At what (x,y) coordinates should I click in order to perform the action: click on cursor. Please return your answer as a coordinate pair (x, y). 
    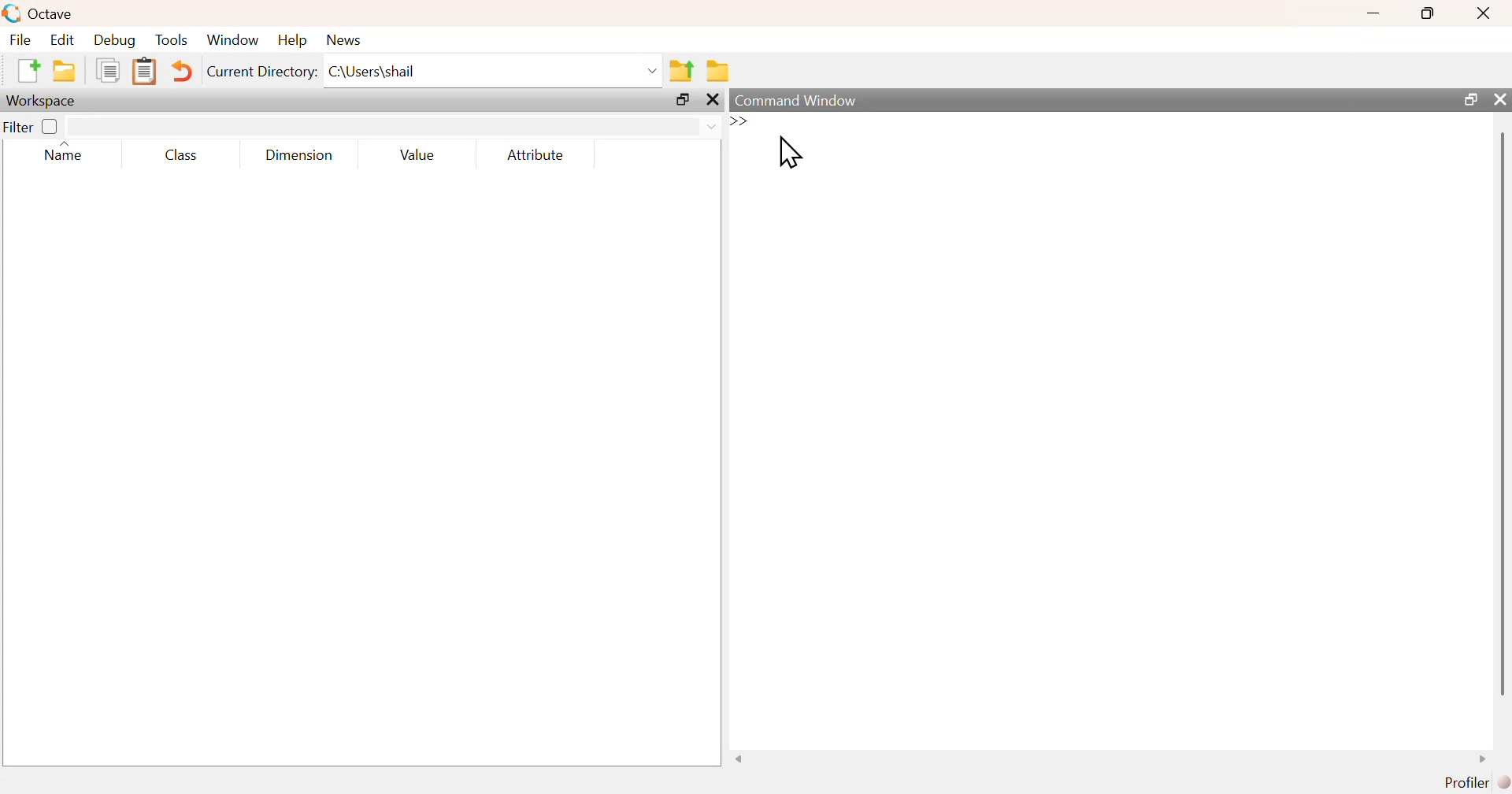
    Looking at the image, I should click on (790, 151).